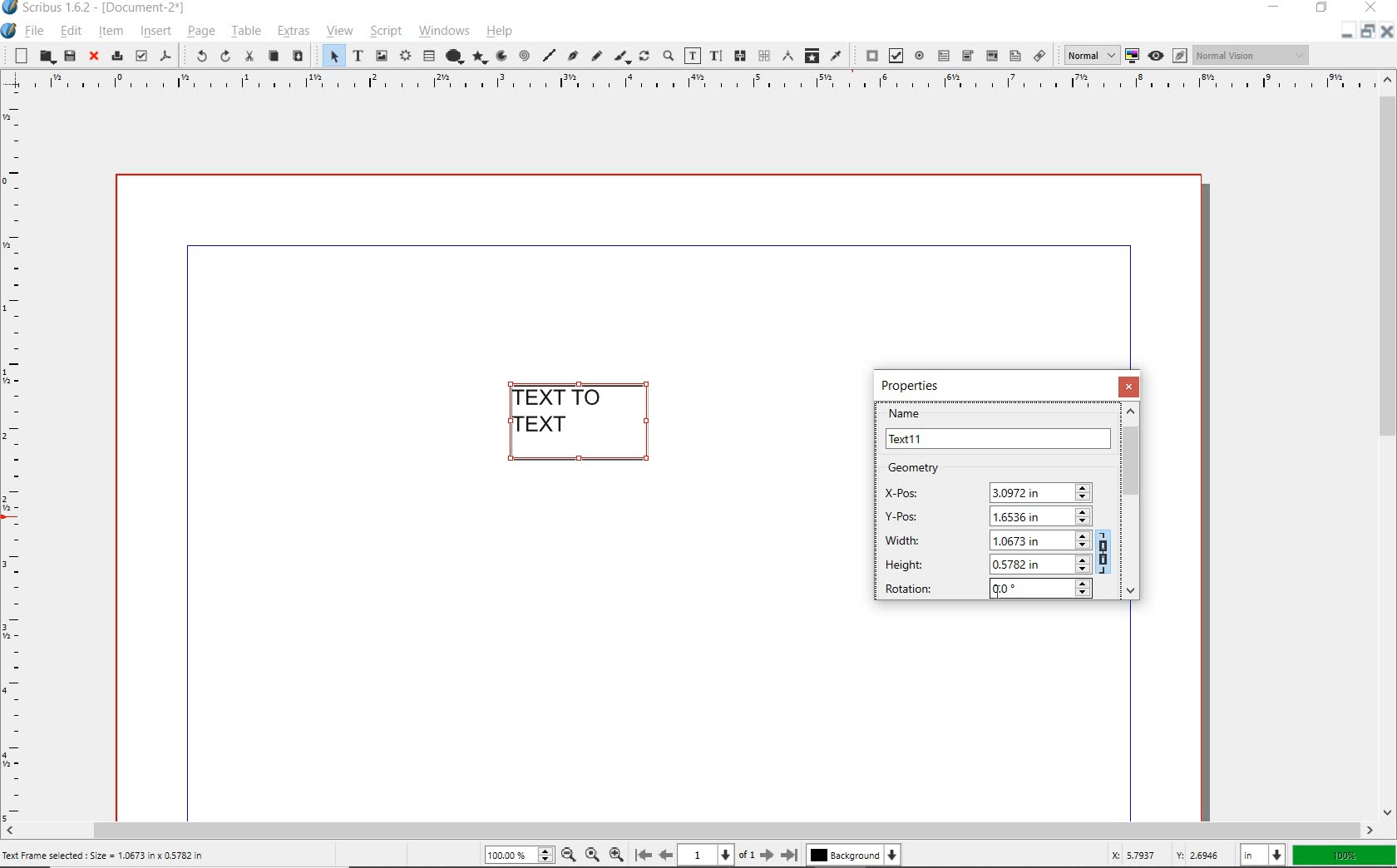  Describe the element at coordinates (693, 55) in the screenshot. I see `edit contents of frame` at that location.